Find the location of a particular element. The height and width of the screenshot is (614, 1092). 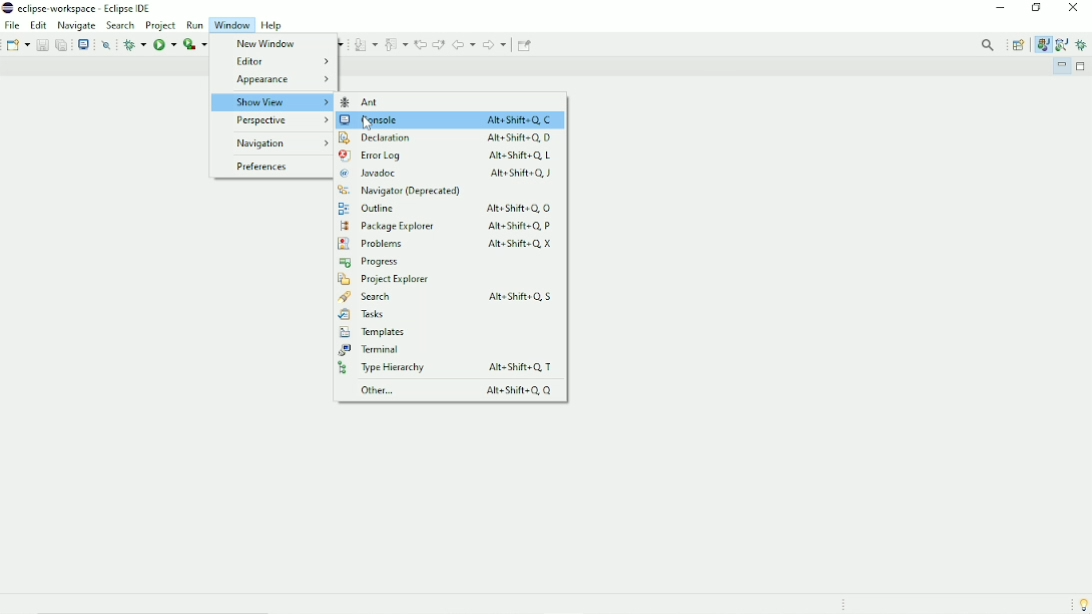

Type Hierarchy is located at coordinates (450, 368).